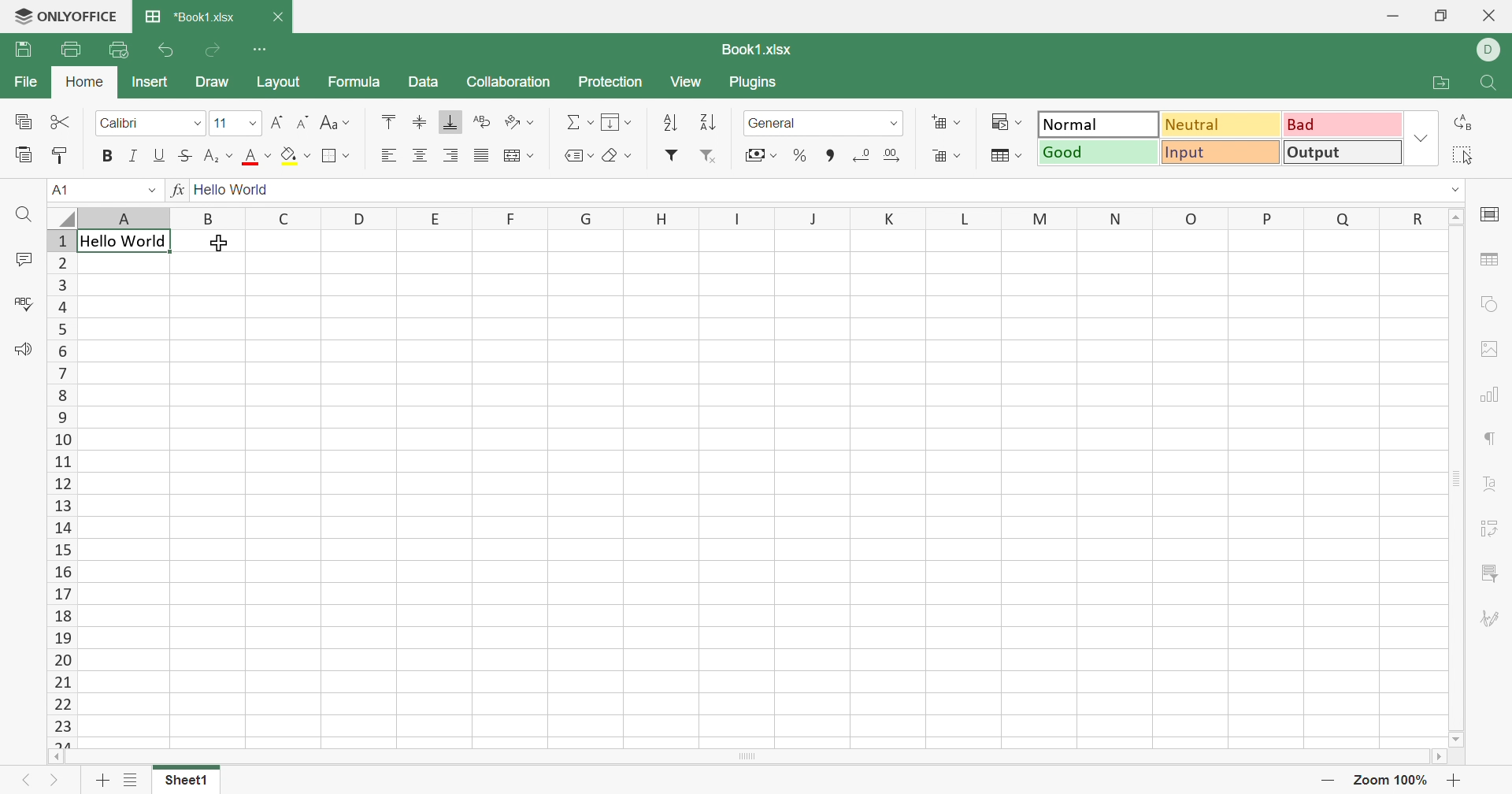 Image resolution: width=1512 pixels, height=794 pixels. Describe the element at coordinates (1492, 530) in the screenshot. I see `Pivot table settings` at that location.